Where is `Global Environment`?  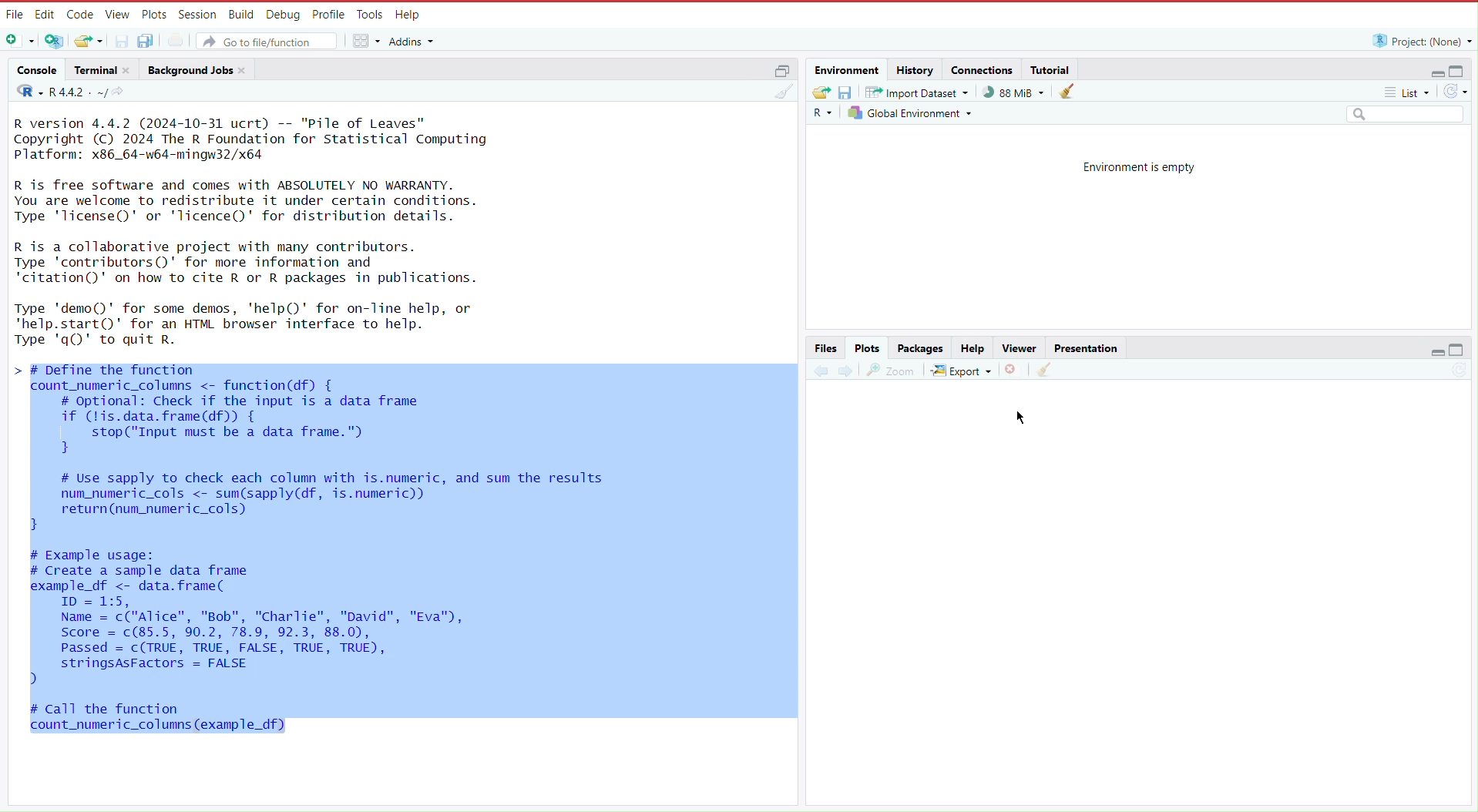 Global Environment is located at coordinates (912, 112).